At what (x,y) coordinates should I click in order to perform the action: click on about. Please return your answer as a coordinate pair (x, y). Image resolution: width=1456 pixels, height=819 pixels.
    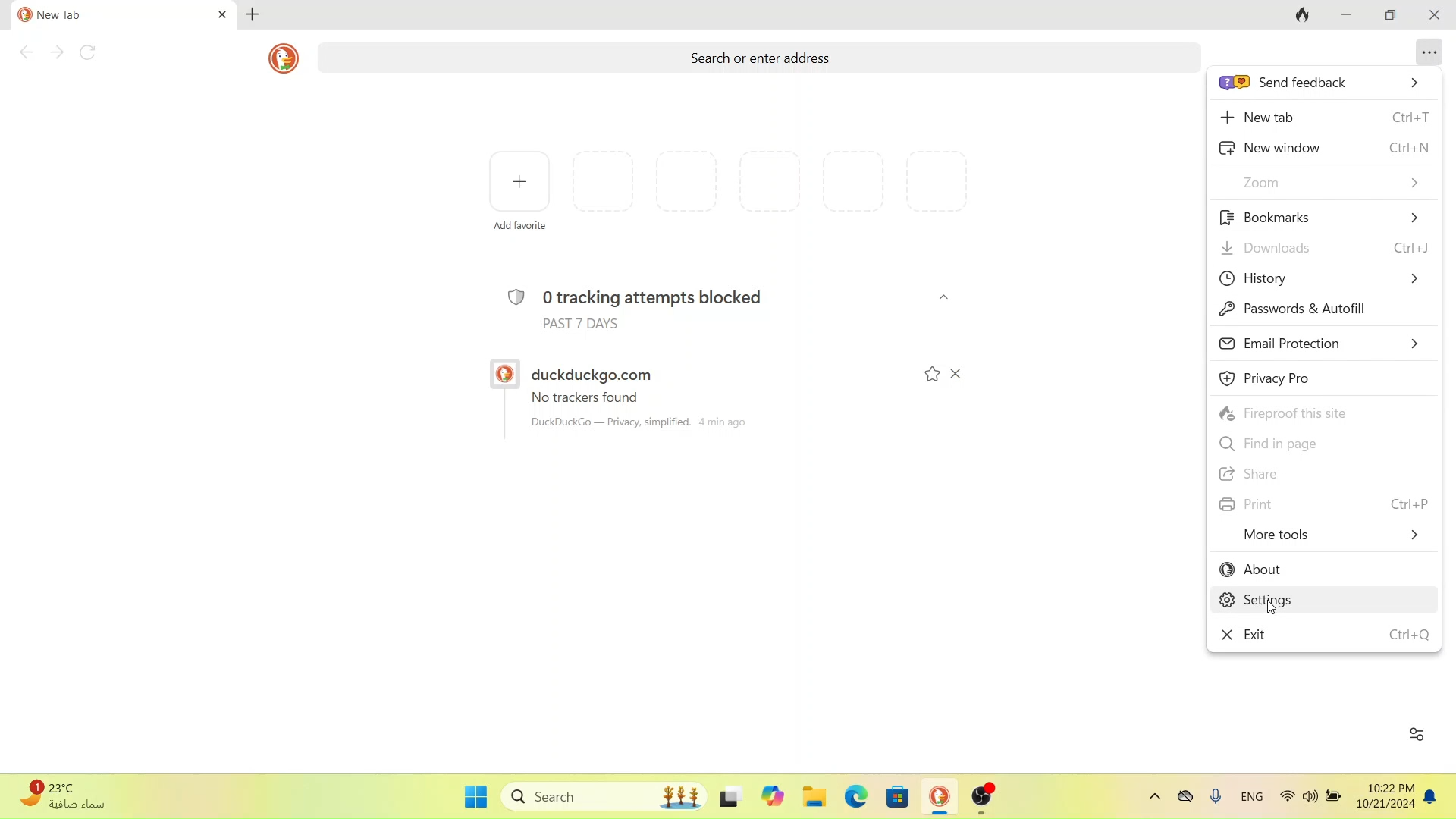
    Looking at the image, I should click on (1325, 570).